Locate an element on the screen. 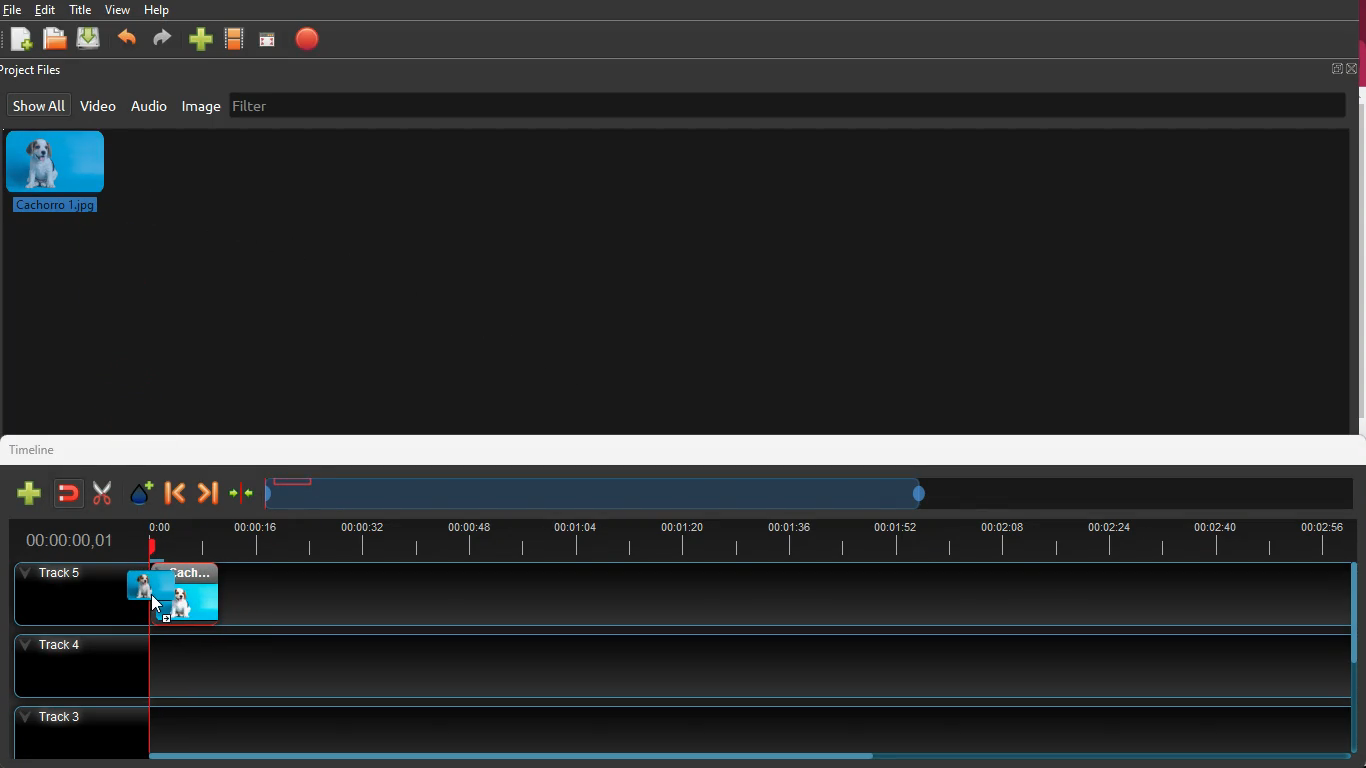  timeline is located at coordinates (602, 493).